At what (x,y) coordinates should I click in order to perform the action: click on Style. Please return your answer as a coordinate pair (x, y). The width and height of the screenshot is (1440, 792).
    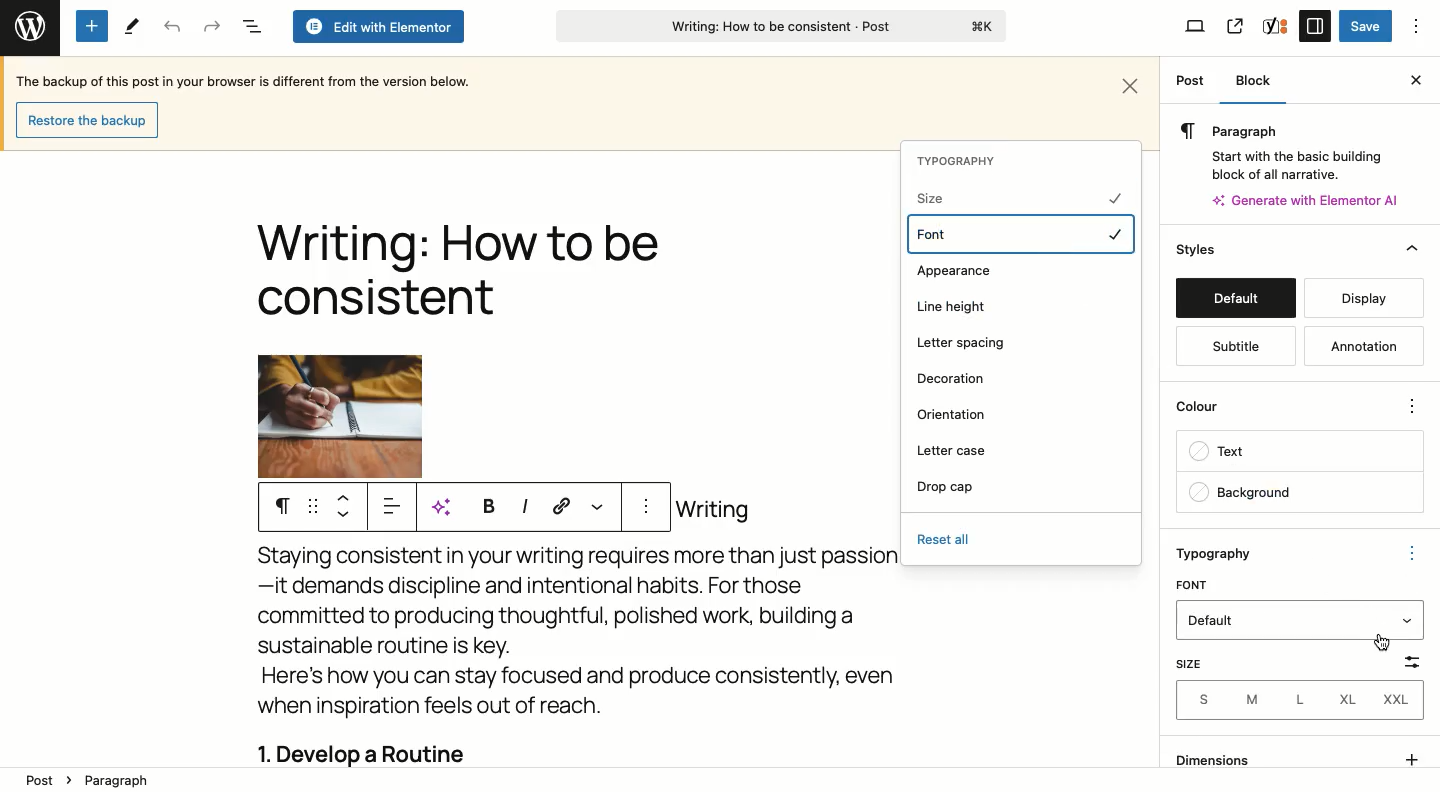
    Looking at the image, I should click on (1198, 249).